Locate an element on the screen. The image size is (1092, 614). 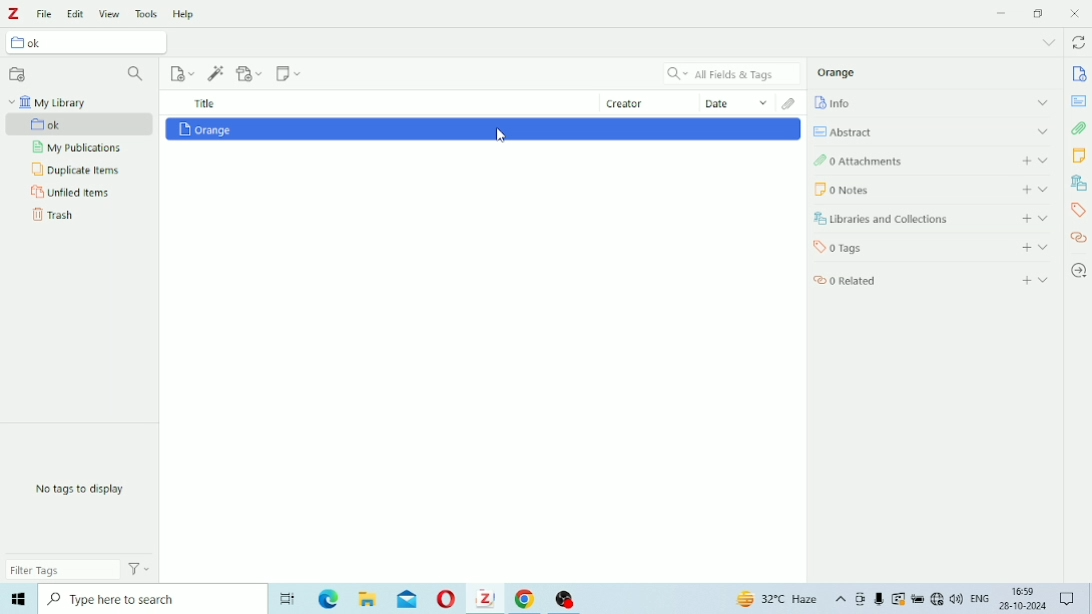
Abstract is located at coordinates (931, 131).